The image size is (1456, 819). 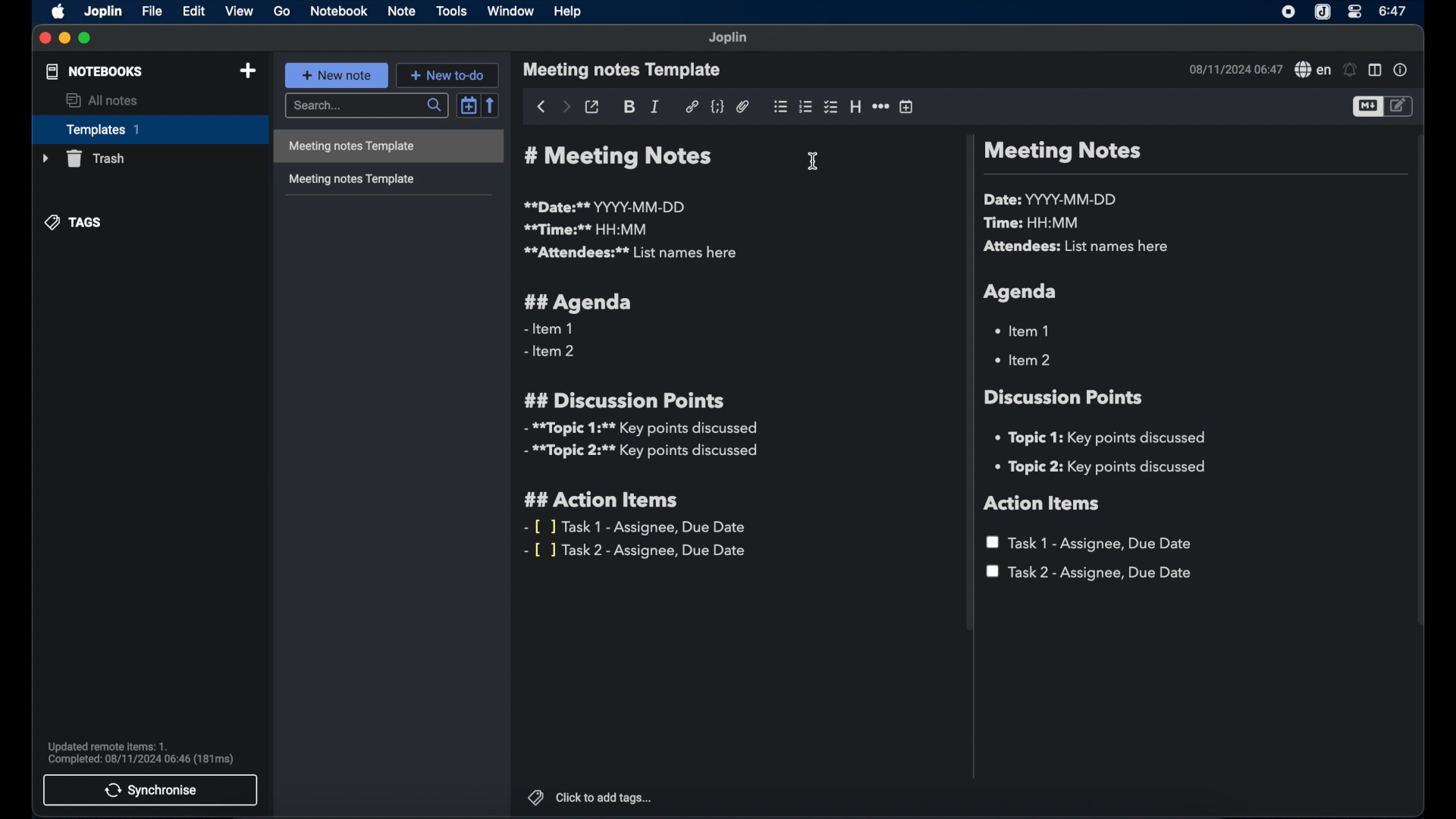 What do you see at coordinates (624, 400) in the screenshot?
I see `## discussion points` at bounding box center [624, 400].